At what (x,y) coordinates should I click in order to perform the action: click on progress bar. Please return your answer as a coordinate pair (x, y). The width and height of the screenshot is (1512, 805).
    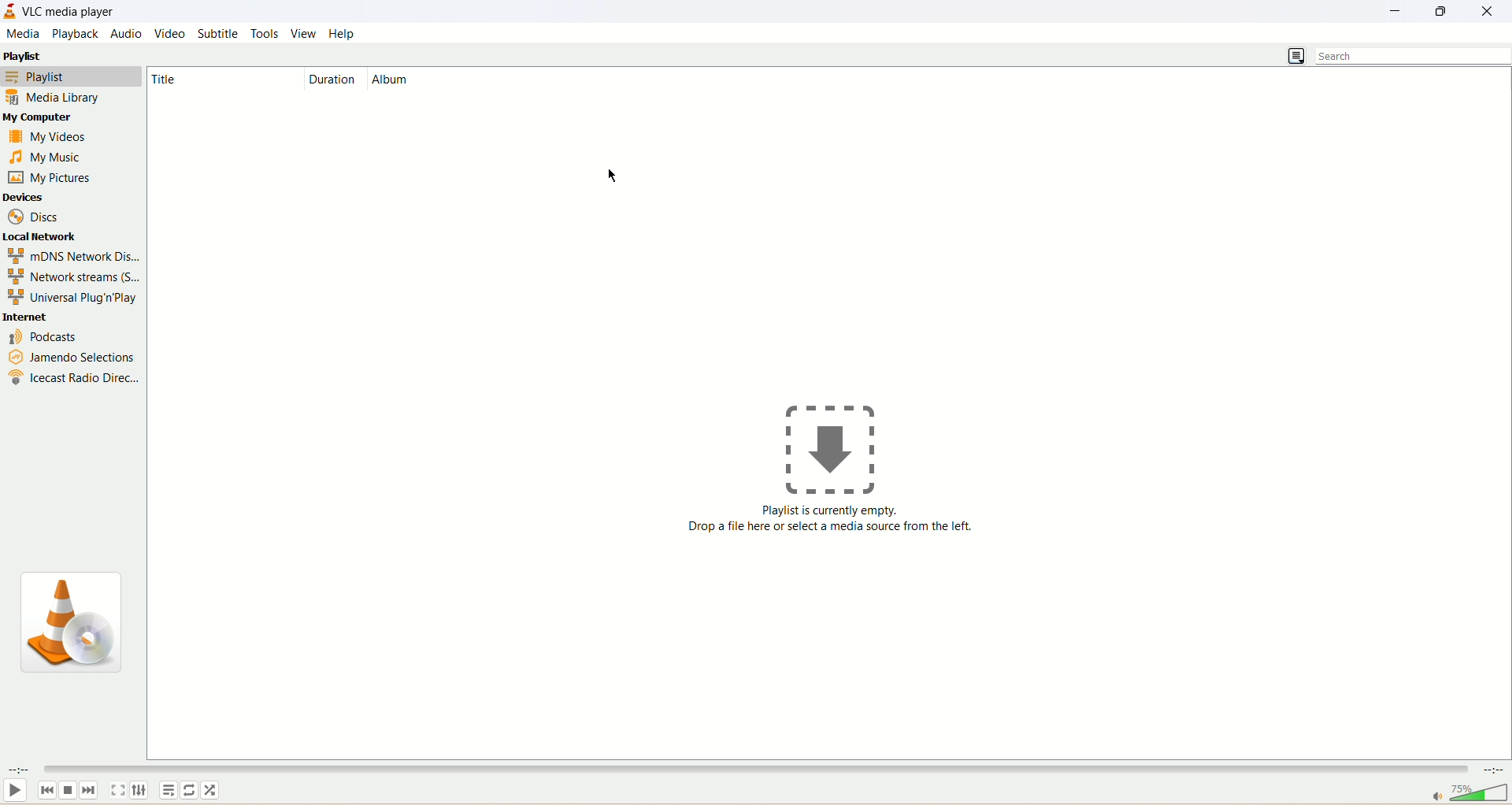
    Looking at the image, I should click on (550, 769).